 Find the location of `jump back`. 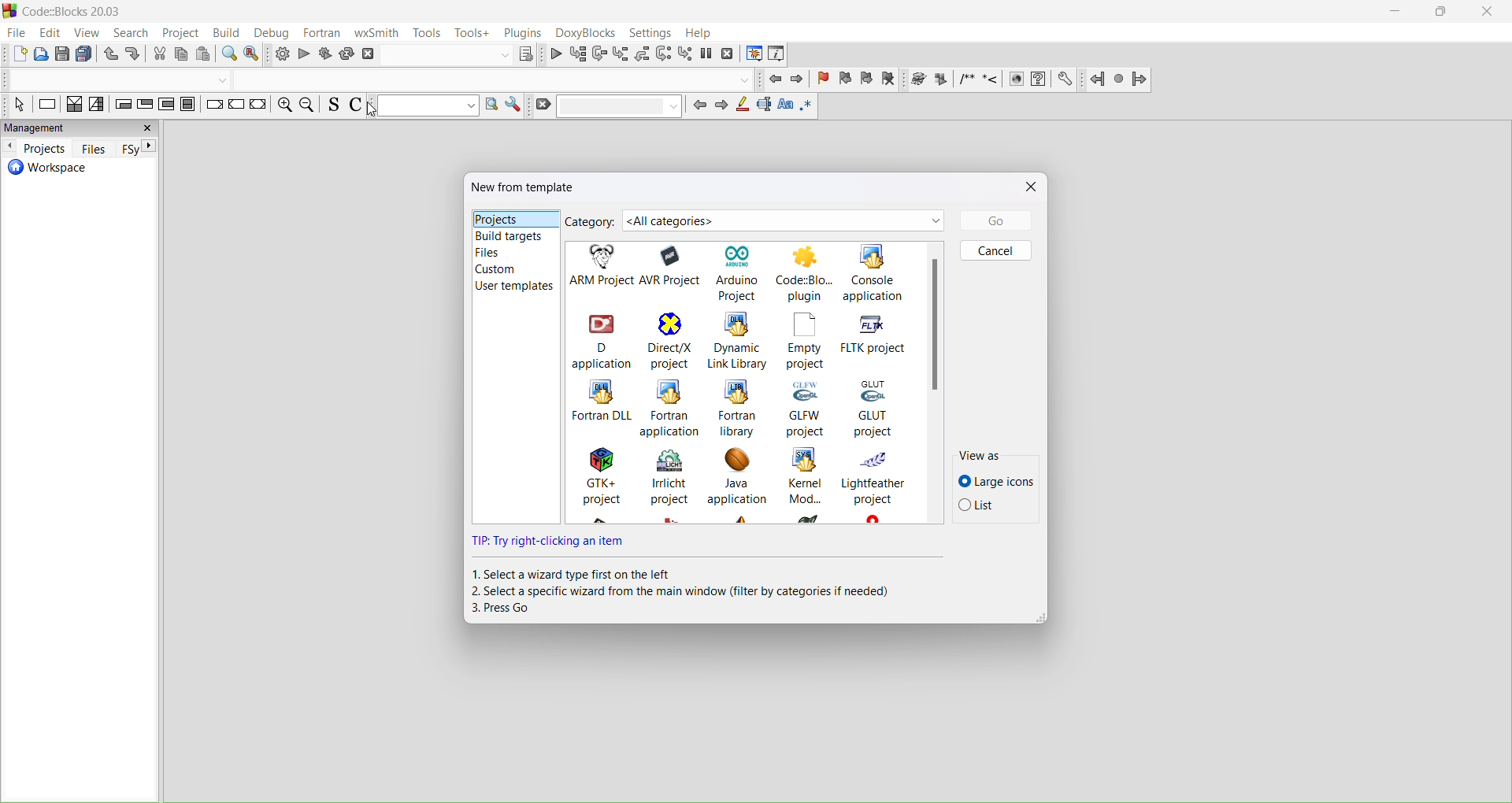

jump back is located at coordinates (773, 79).